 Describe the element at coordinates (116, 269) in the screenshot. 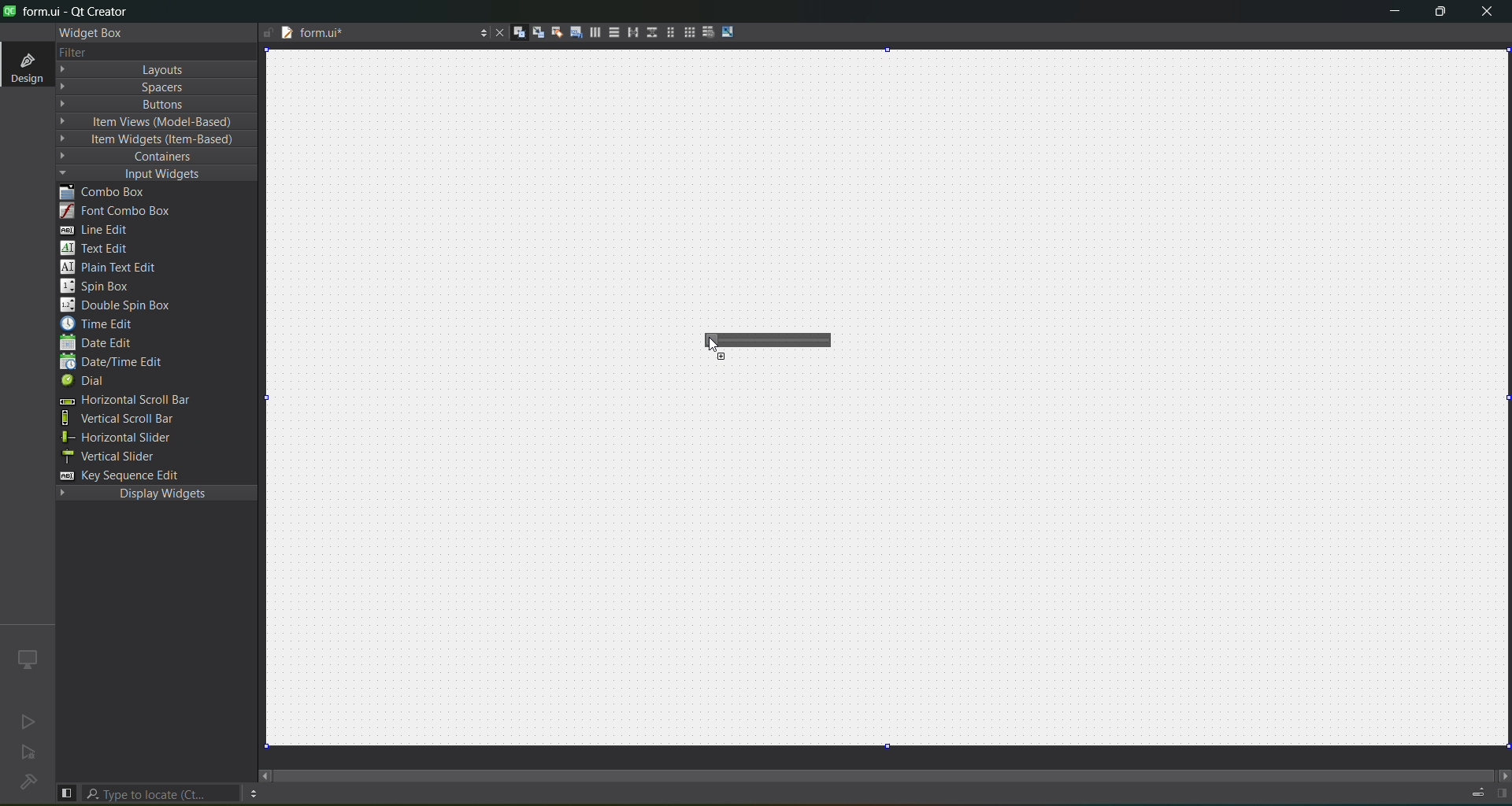

I see `plain text edit` at that location.